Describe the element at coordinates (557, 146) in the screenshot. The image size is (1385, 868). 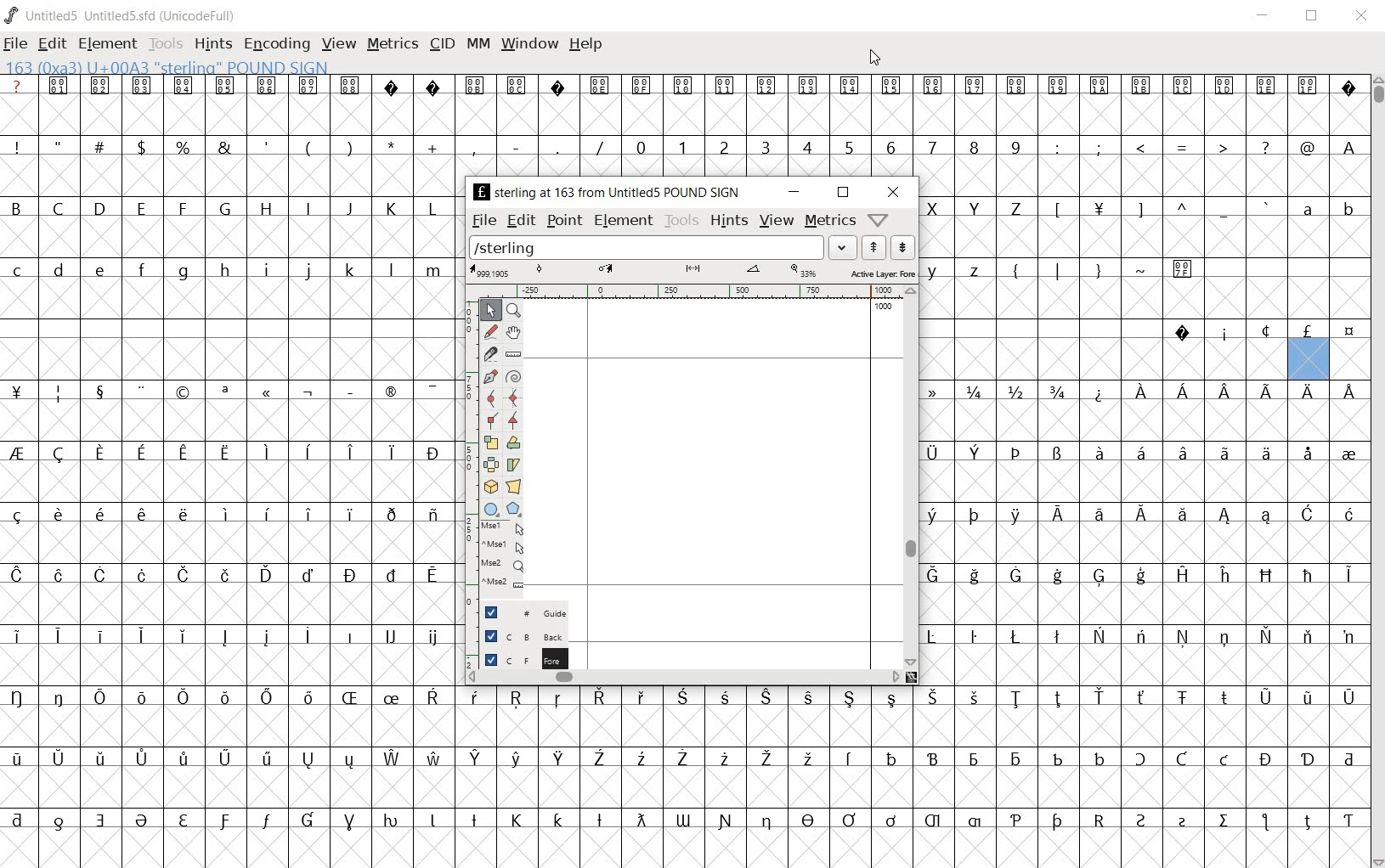
I see `.` at that location.